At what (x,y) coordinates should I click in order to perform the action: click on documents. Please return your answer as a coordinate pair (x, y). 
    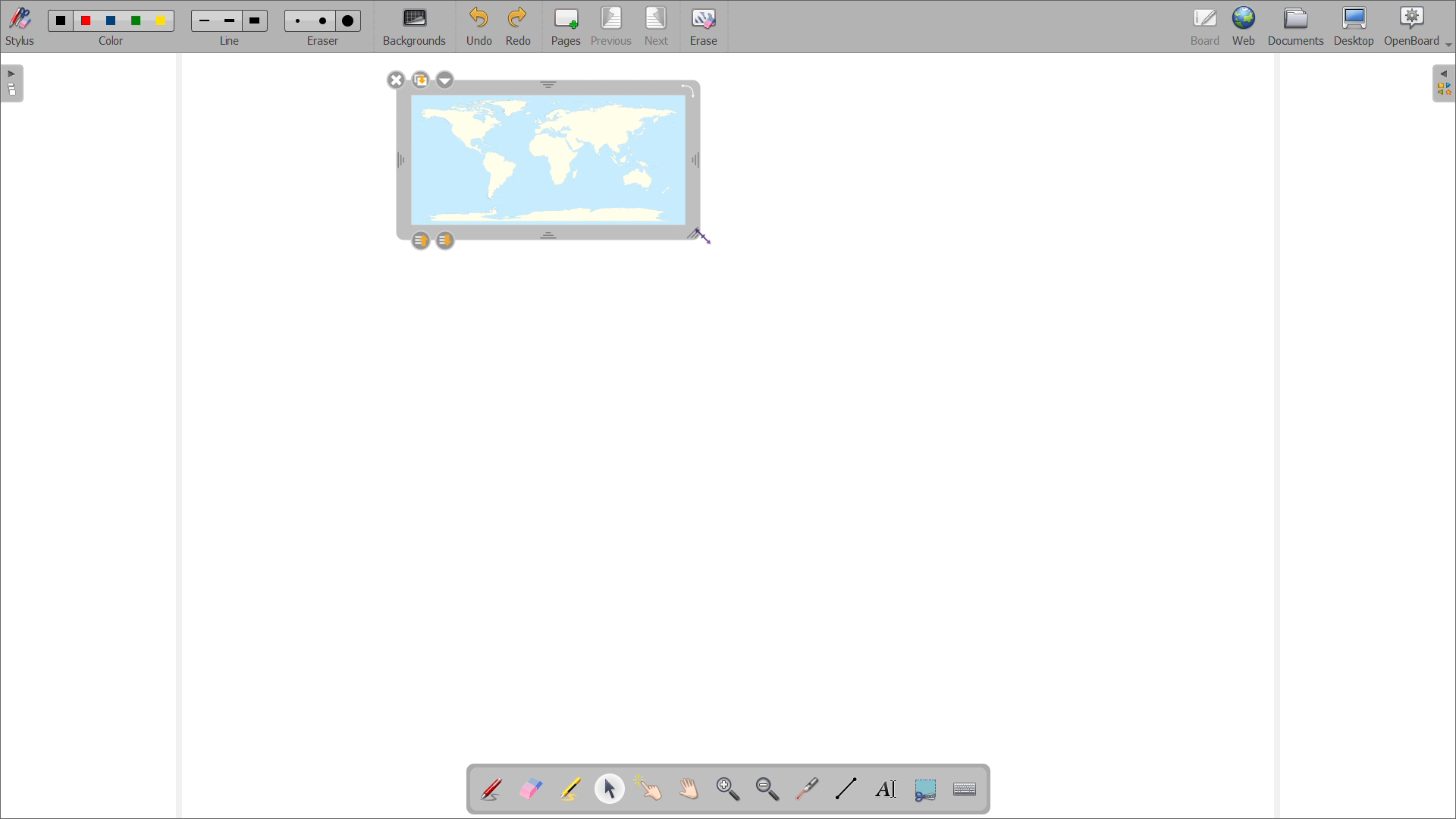
    Looking at the image, I should click on (1298, 27).